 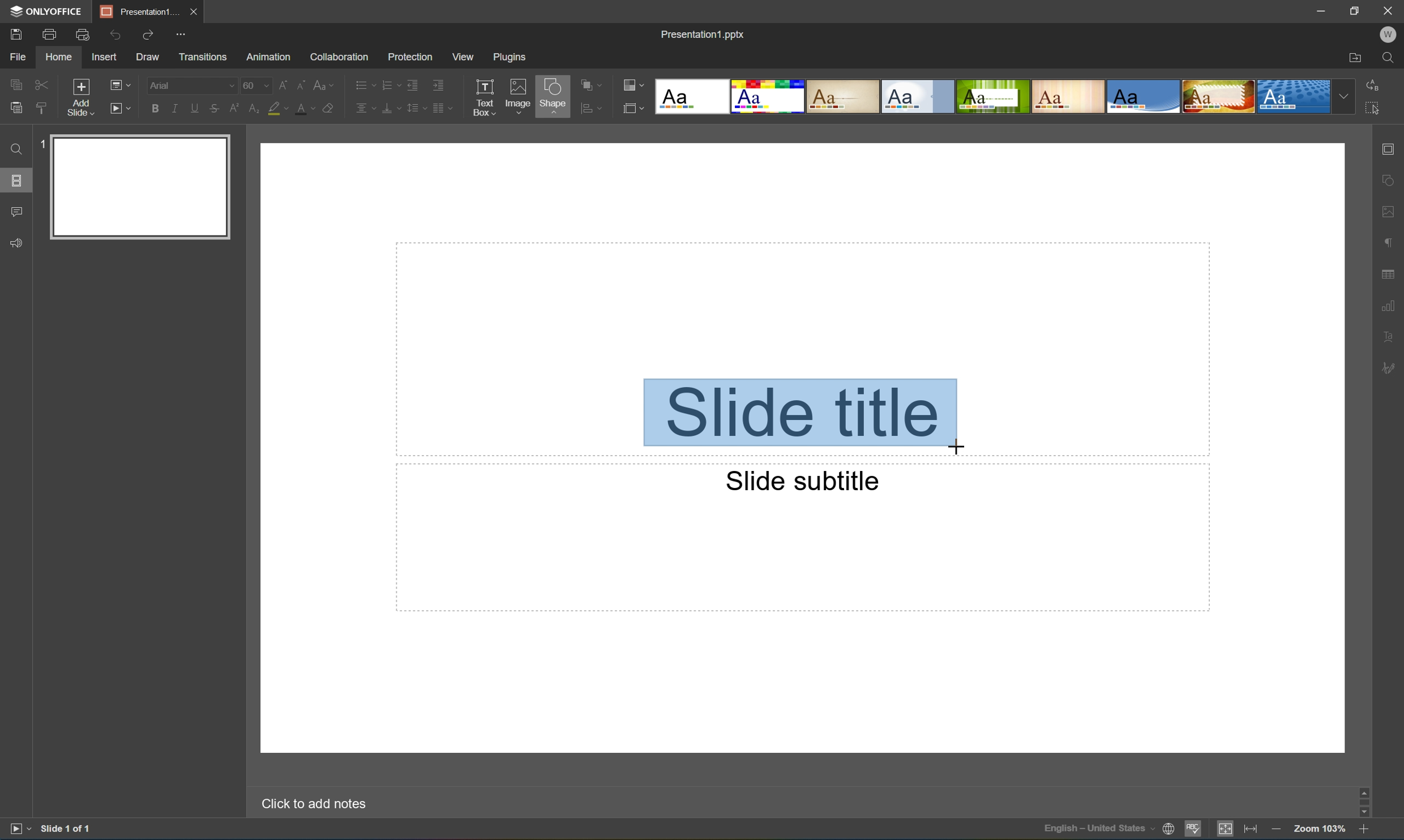 What do you see at coordinates (1389, 272) in the screenshot?
I see `table settings` at bounding box center [1389, 272].